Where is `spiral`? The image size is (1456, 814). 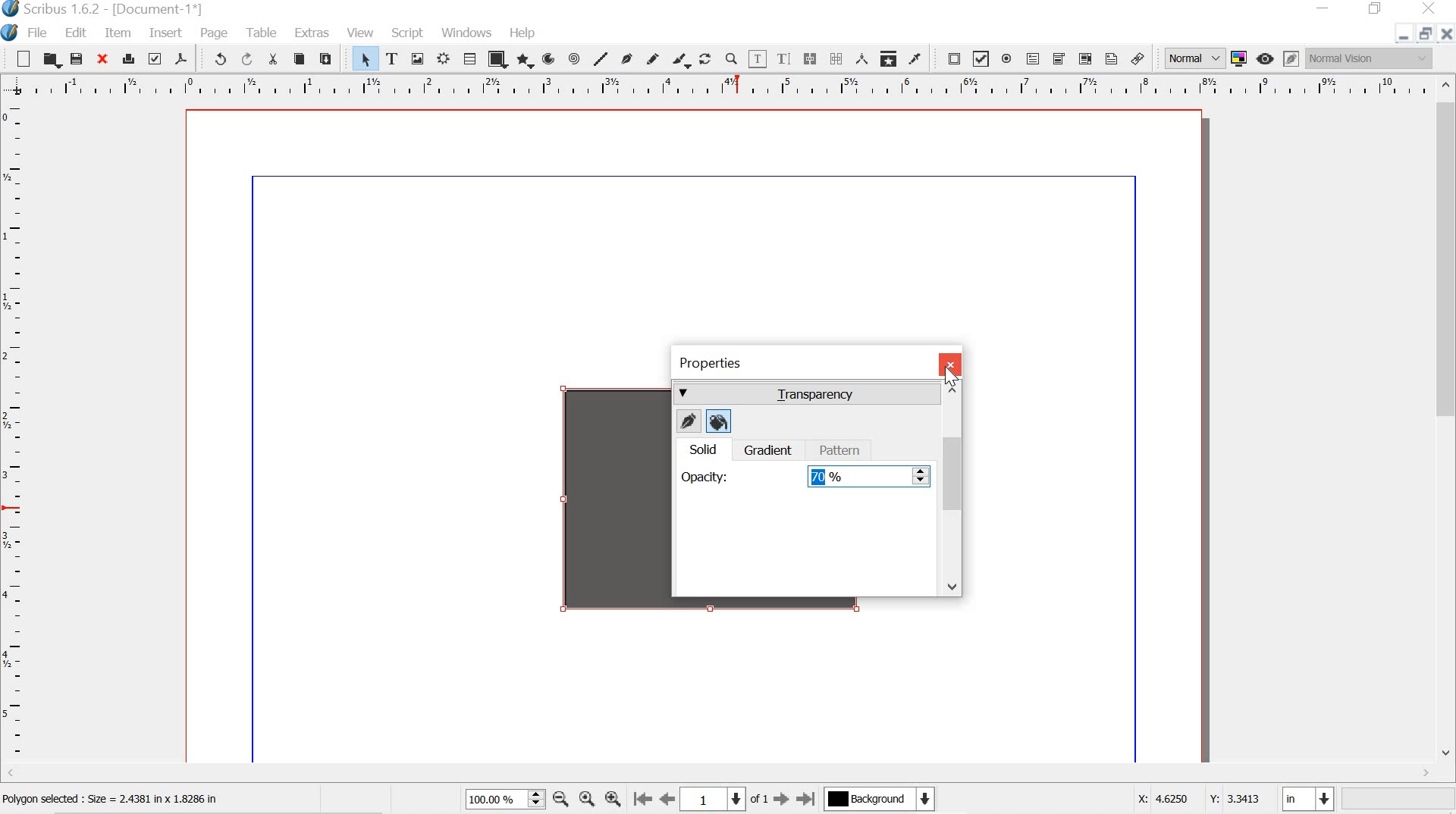 spiral is located at coordinates (573, 58).